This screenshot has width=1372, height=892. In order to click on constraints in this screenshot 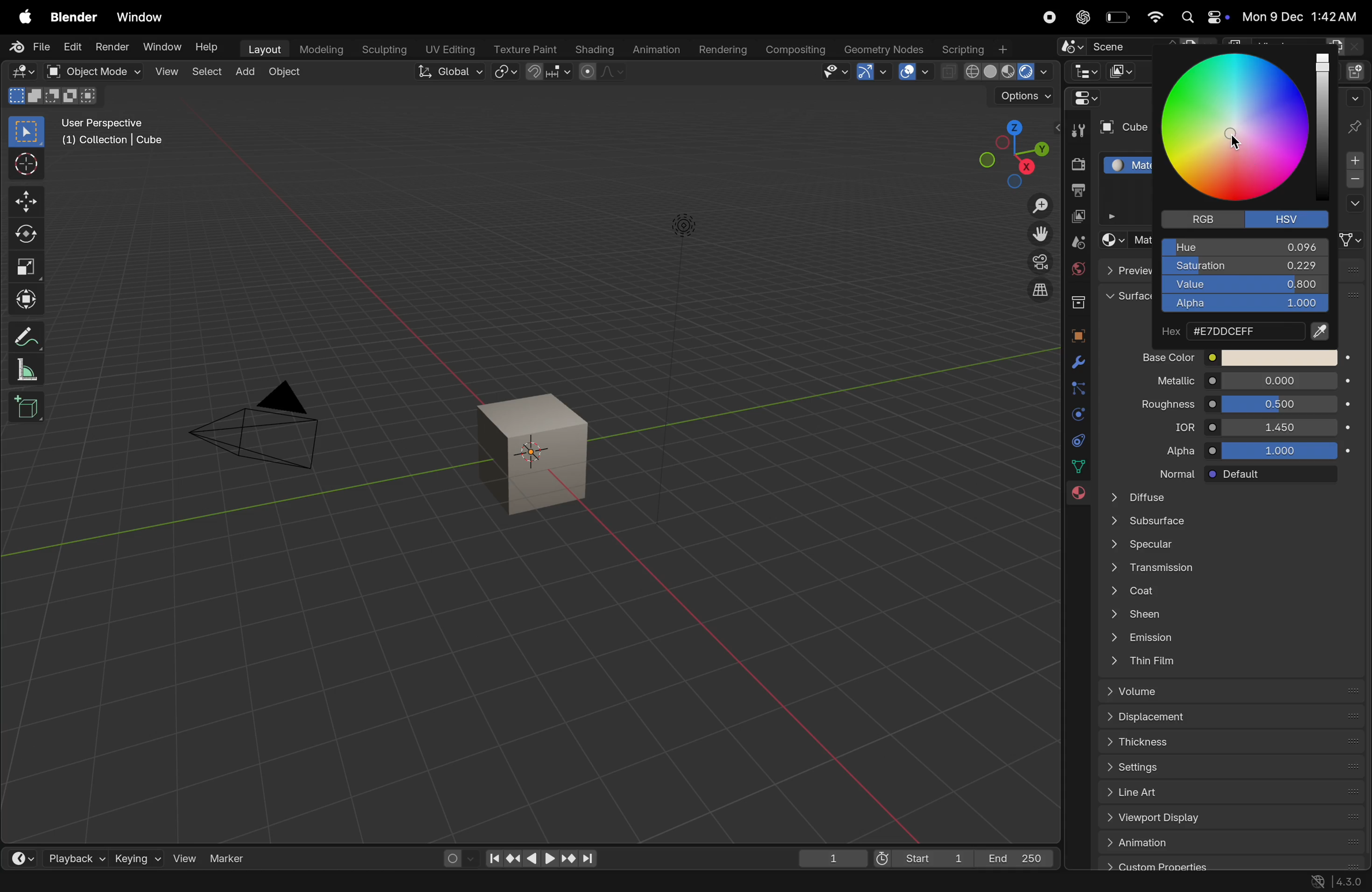, I will do `click(1076, 440)`.